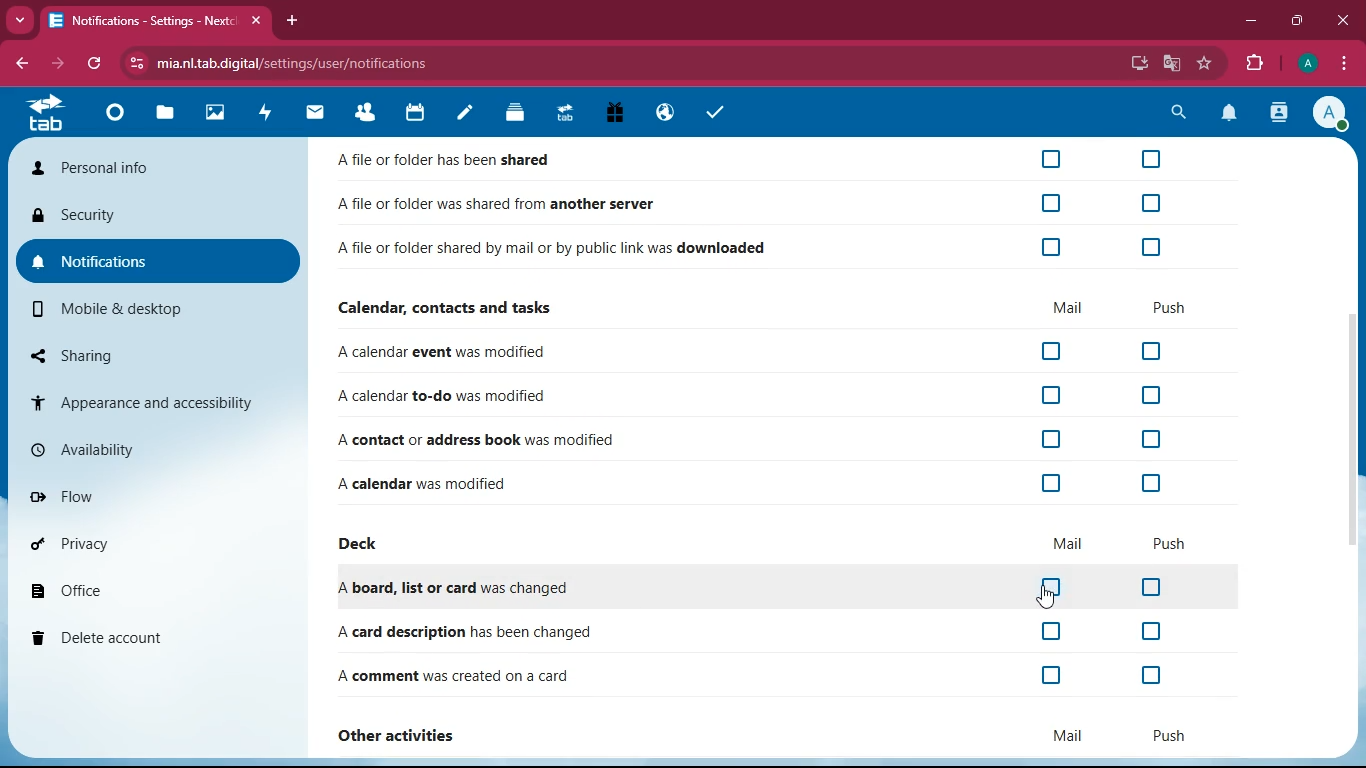 This screenshot has width=1366, height=768. Describe the element at coordinates (1306, 64) in the screenshot. I see `Account` at that location.